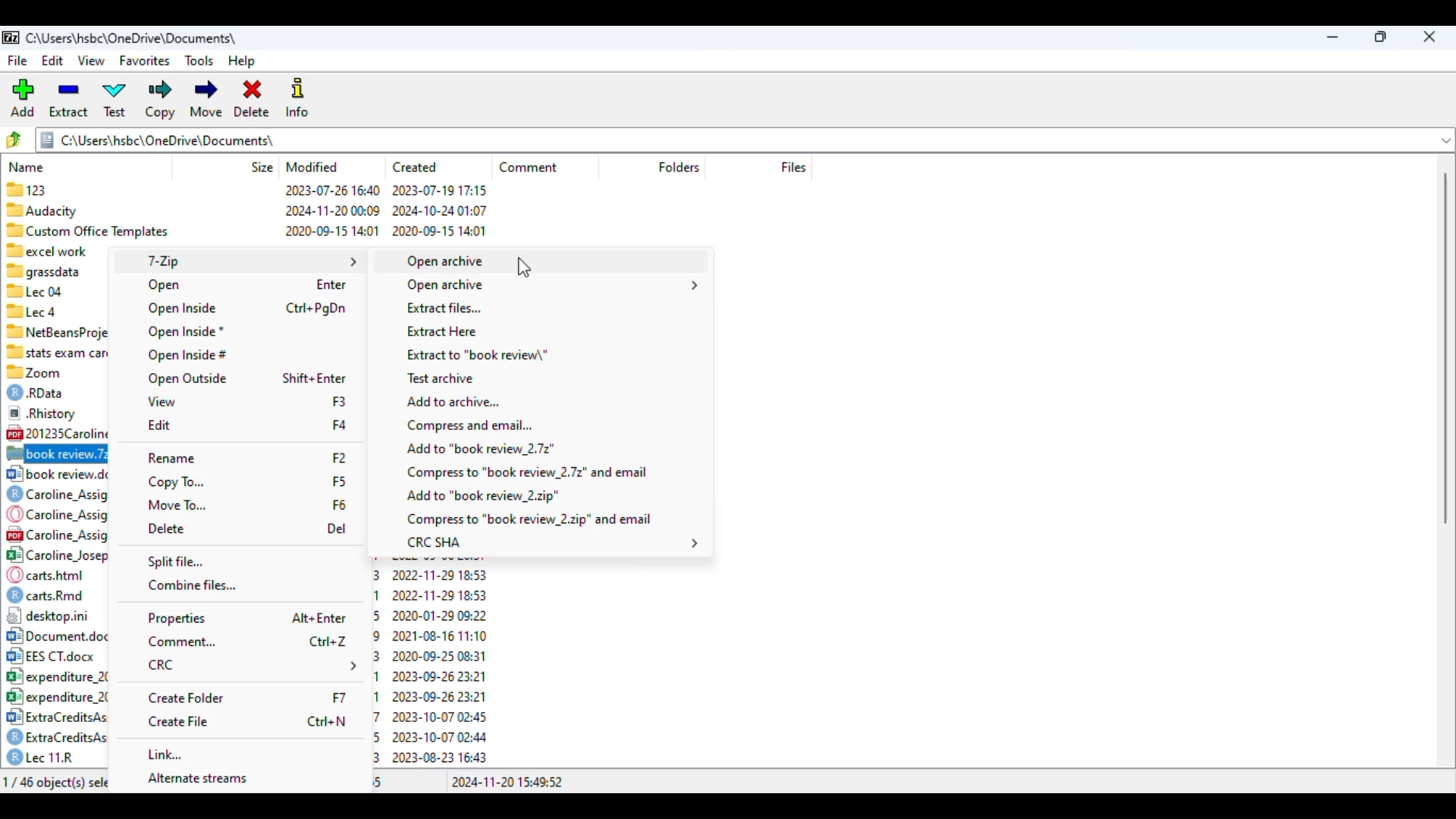 The height and width of the screenshot is (819, 1456). Describe the element at coordinates (179, 721) in the screenshot. I see `create file` at that location.